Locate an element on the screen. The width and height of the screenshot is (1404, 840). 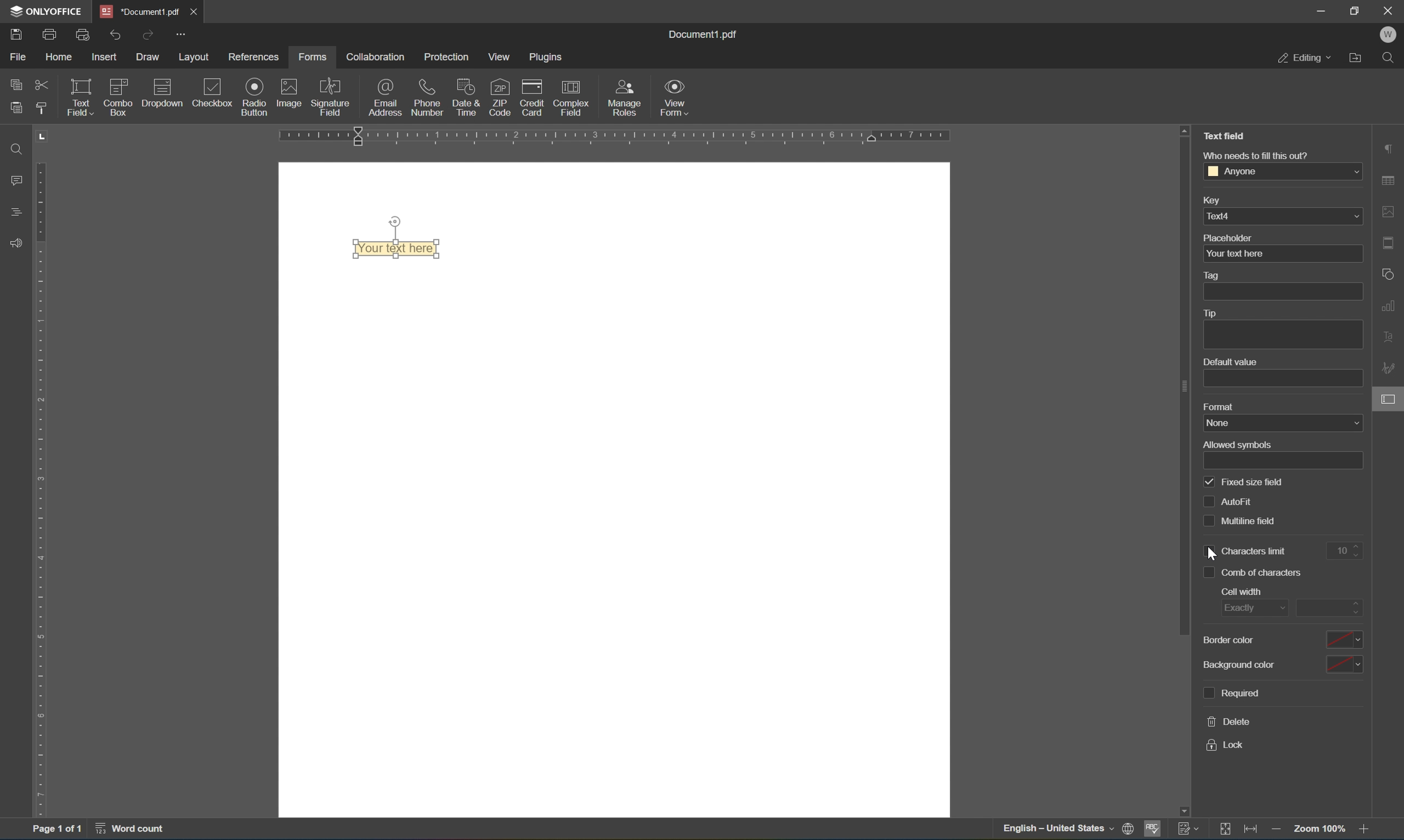
cut is located at coordinates (41, 83).